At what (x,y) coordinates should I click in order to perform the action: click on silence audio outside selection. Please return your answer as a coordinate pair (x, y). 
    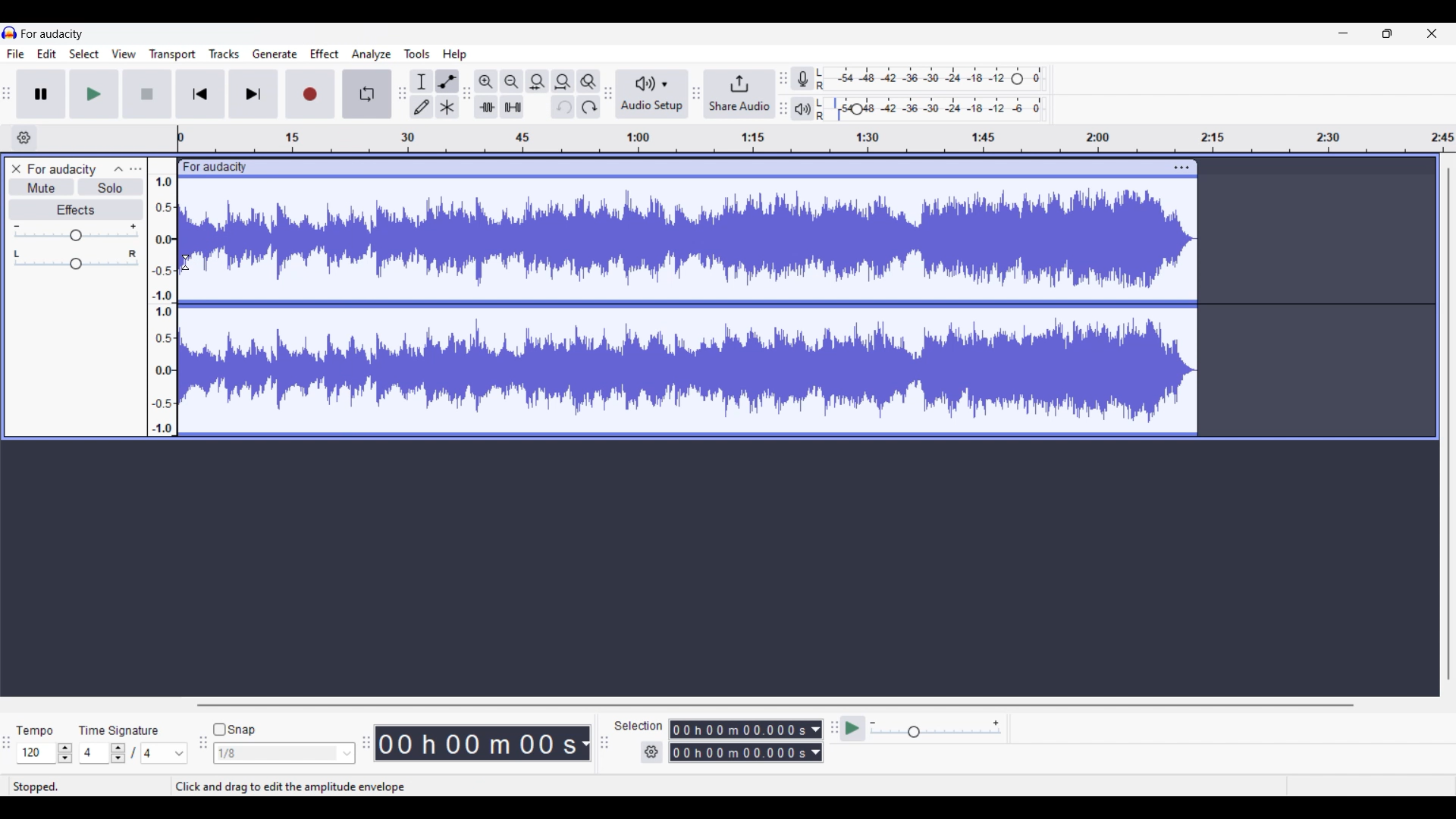
    Looking at the image, I should click on (514, 107).